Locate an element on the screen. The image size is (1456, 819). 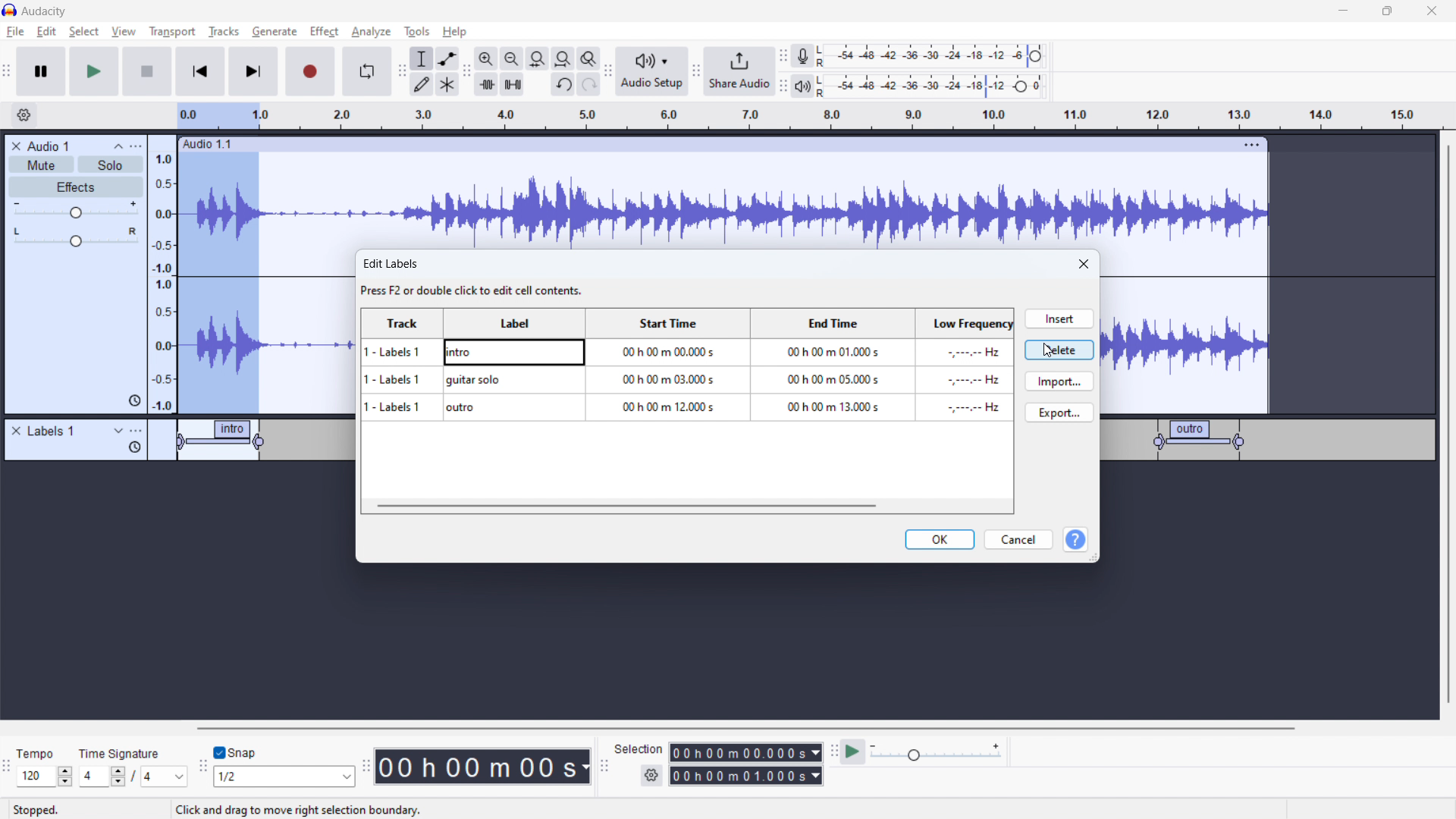
set tempo is located at coordinates (47, 777).